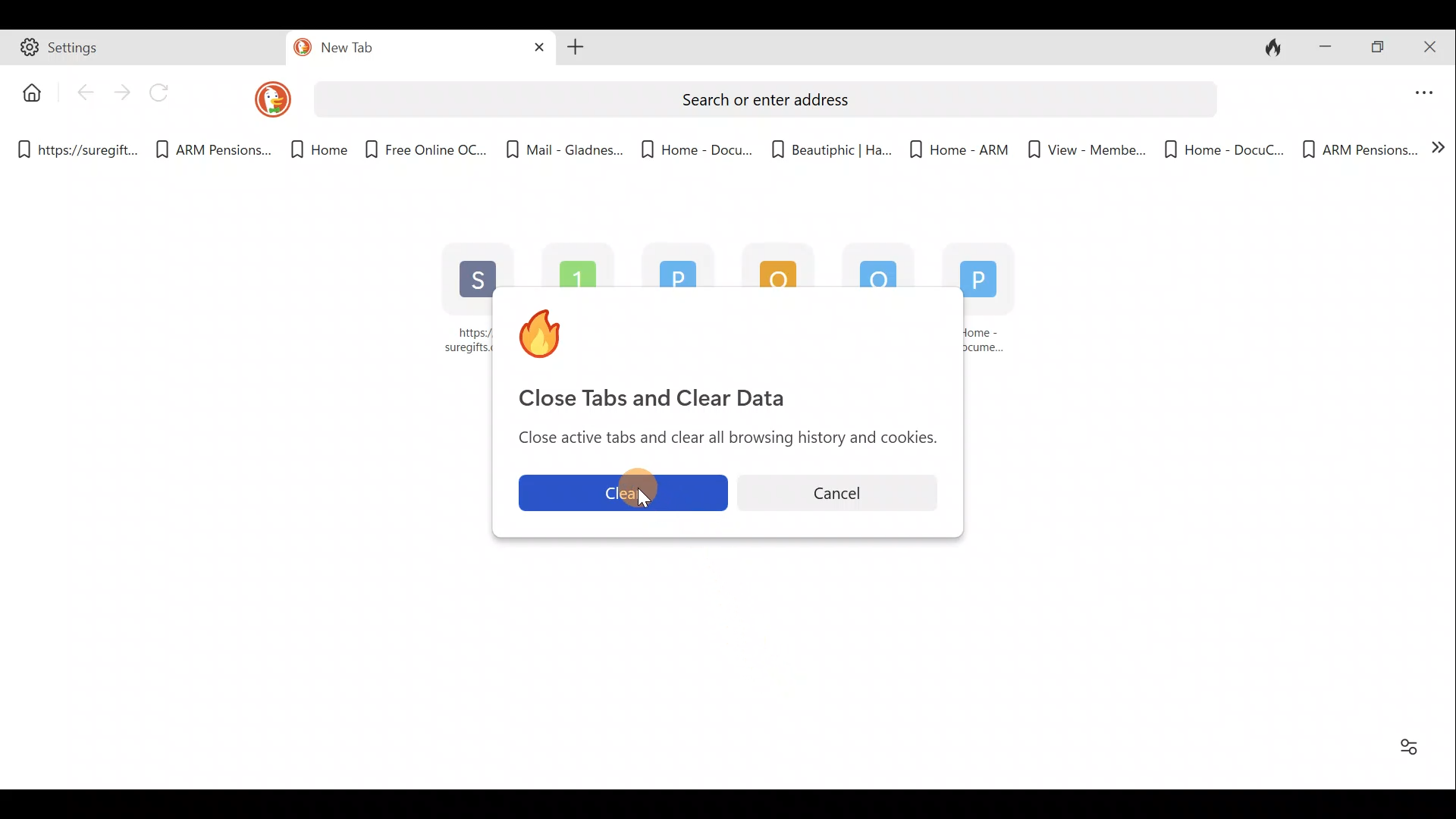 Image resolution: width=1456 pixels, height=819 pixels. What do you see at coordinates (261, 99) in the screenshot?
I see `DuckDuckGo logo` at bounding box center [261, 99].